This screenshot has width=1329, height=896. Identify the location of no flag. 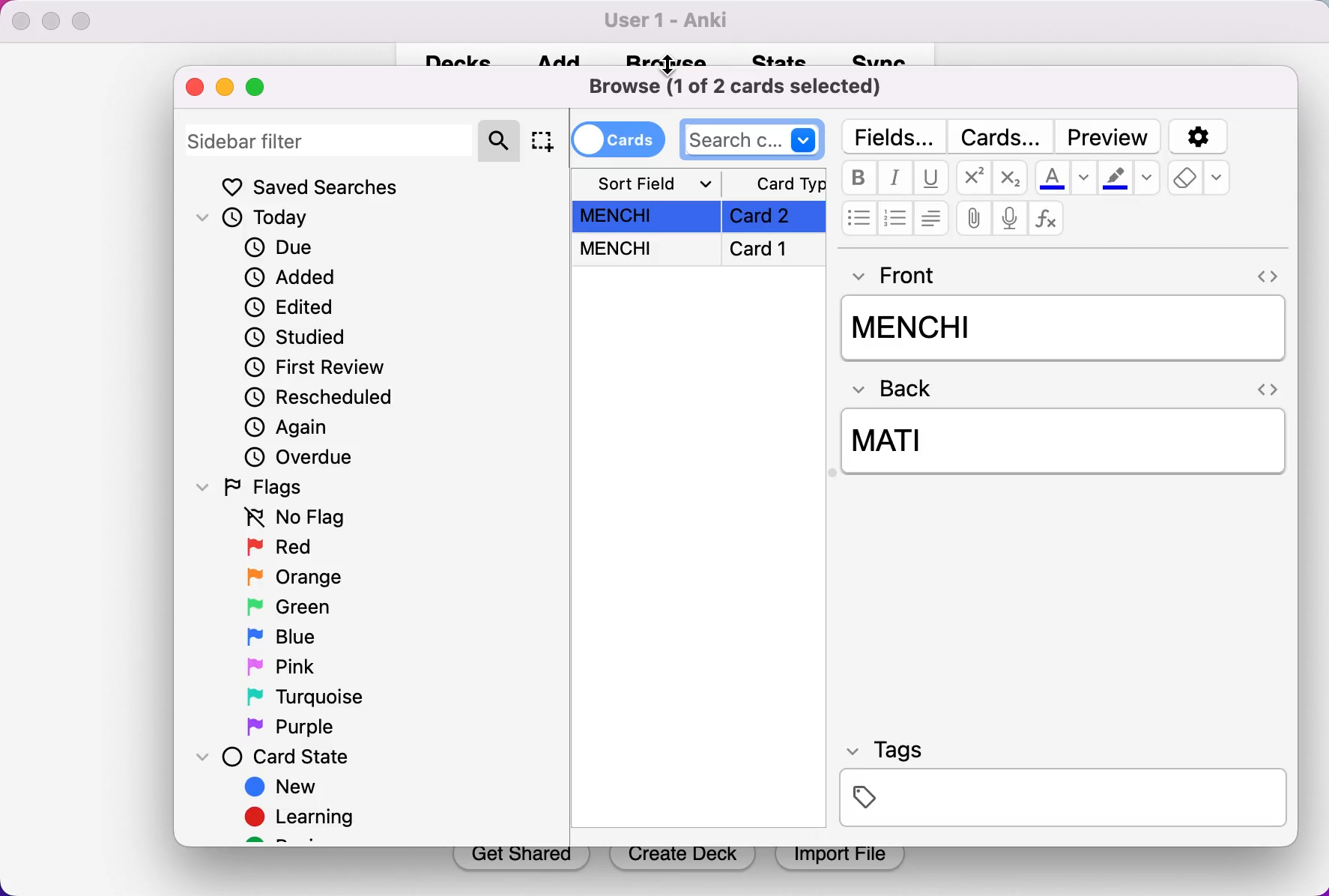
(291, 520).